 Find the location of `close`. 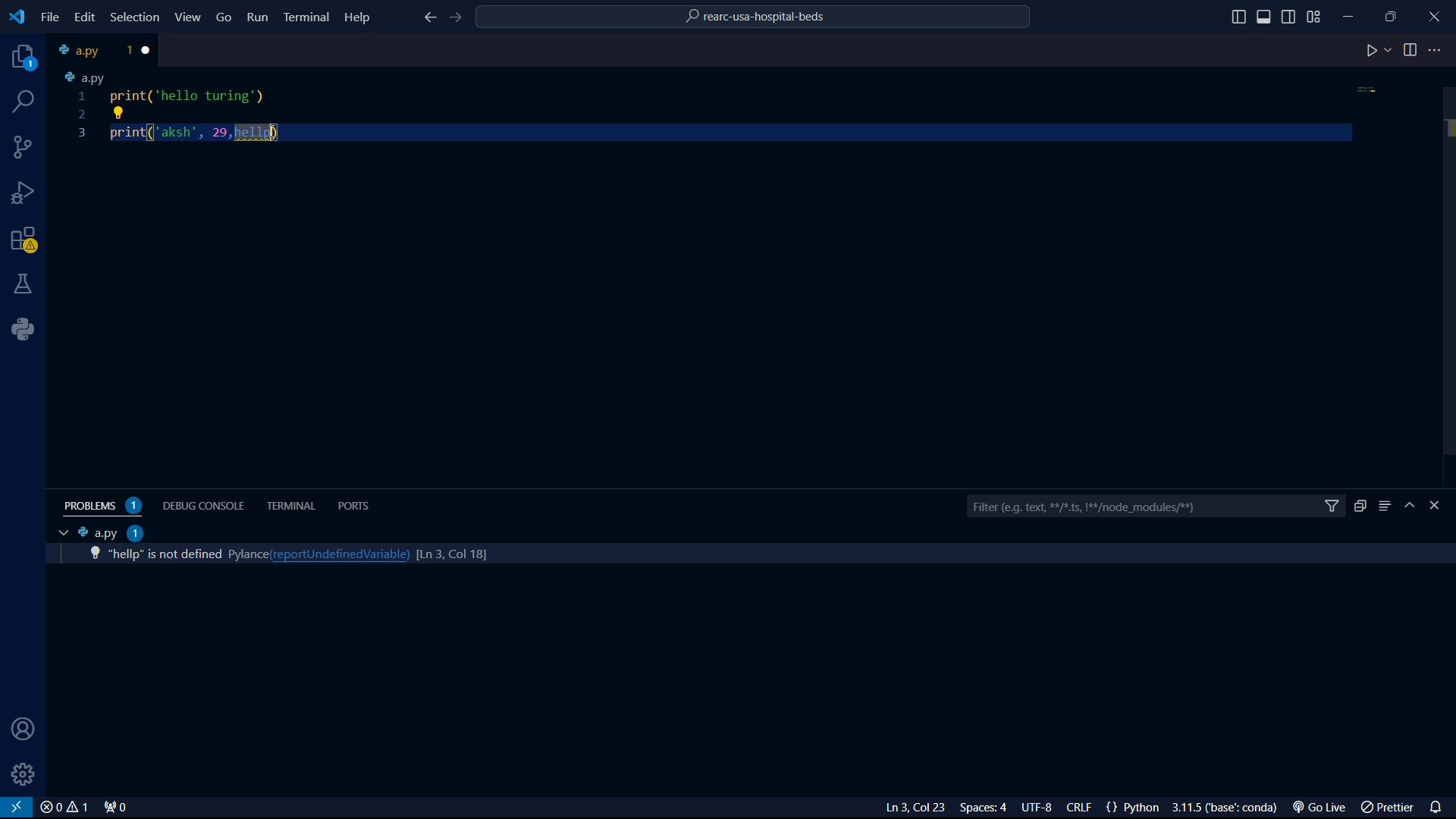

close is located at coordinates (149, 50).